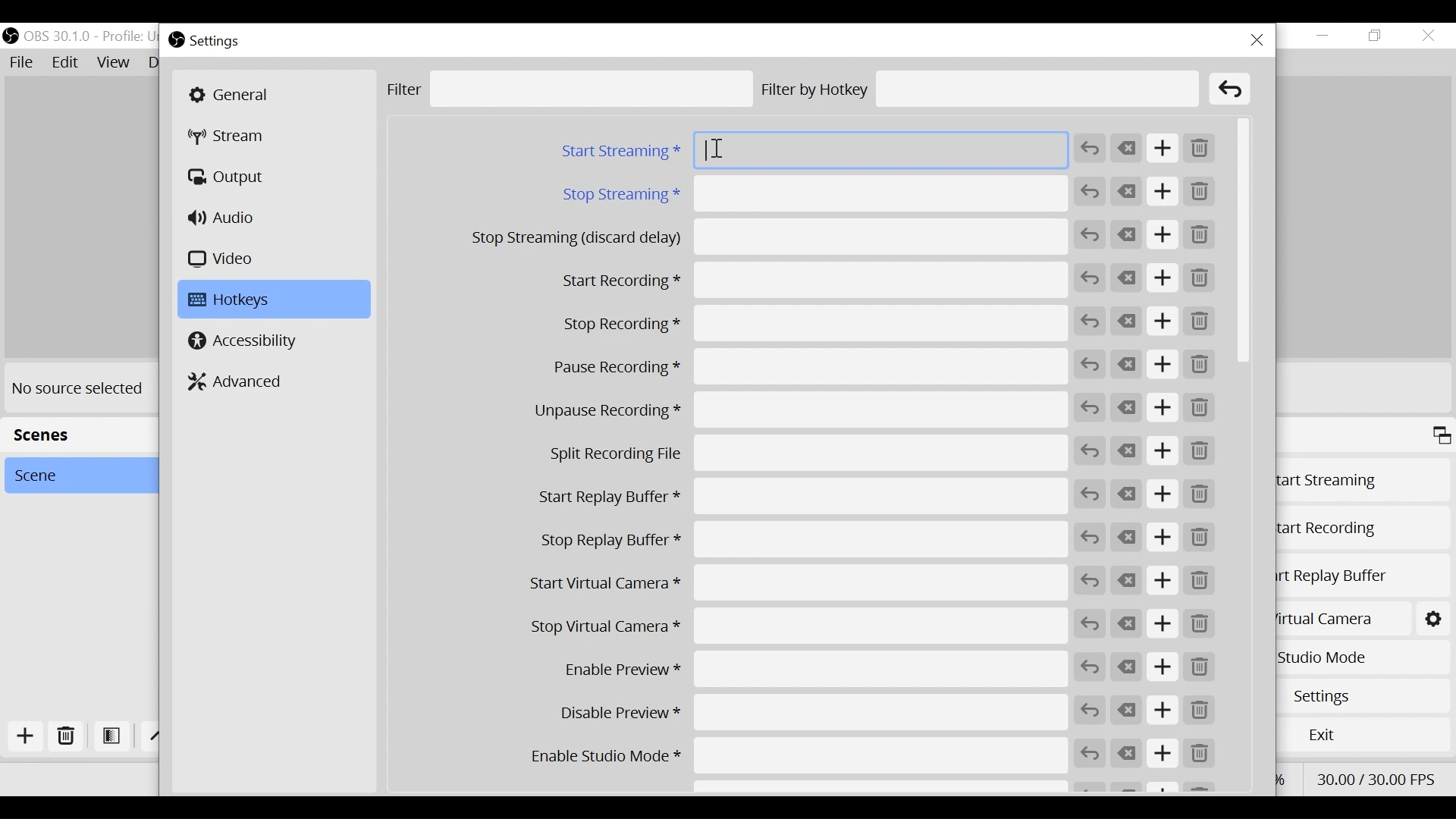  I want to click on Clear, so click(1127, 536).